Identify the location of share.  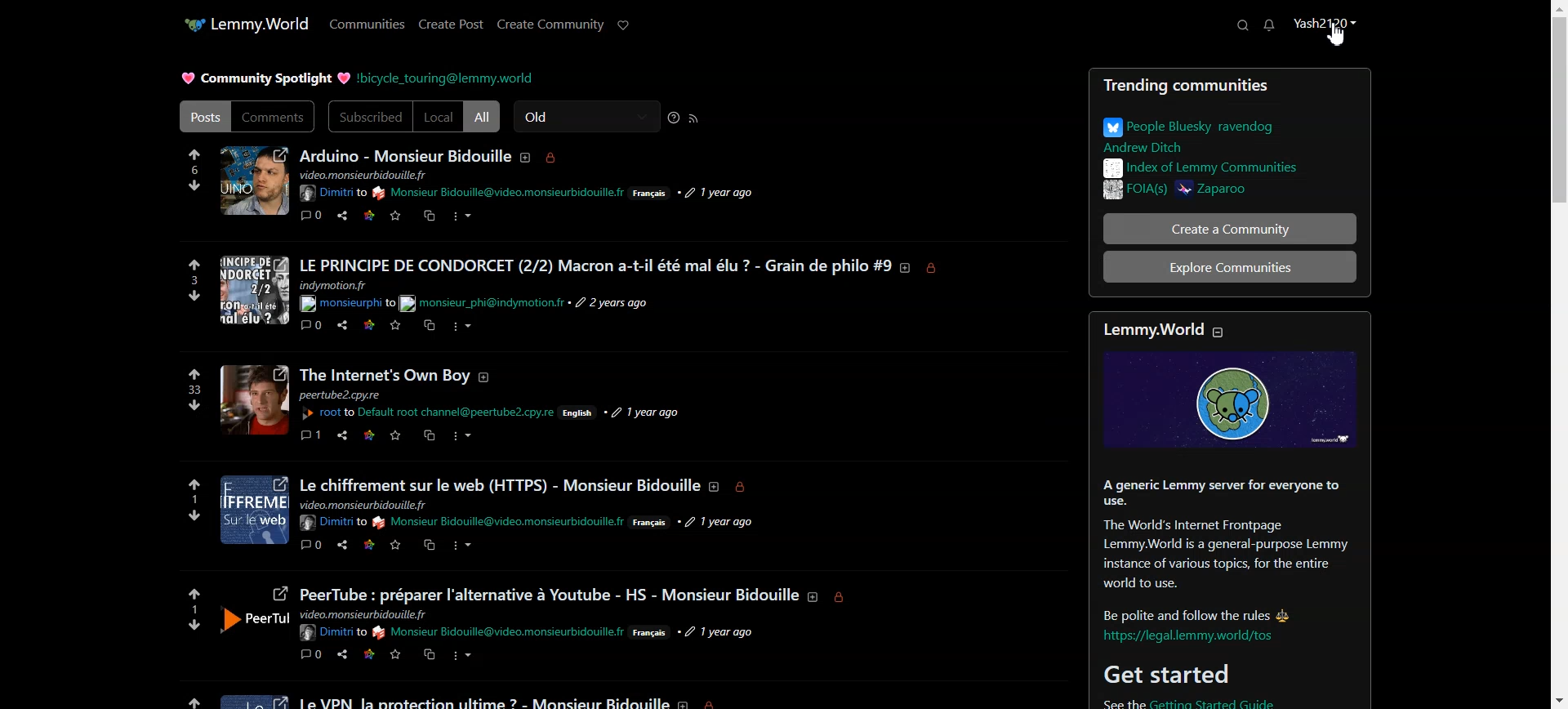
(341, 328).